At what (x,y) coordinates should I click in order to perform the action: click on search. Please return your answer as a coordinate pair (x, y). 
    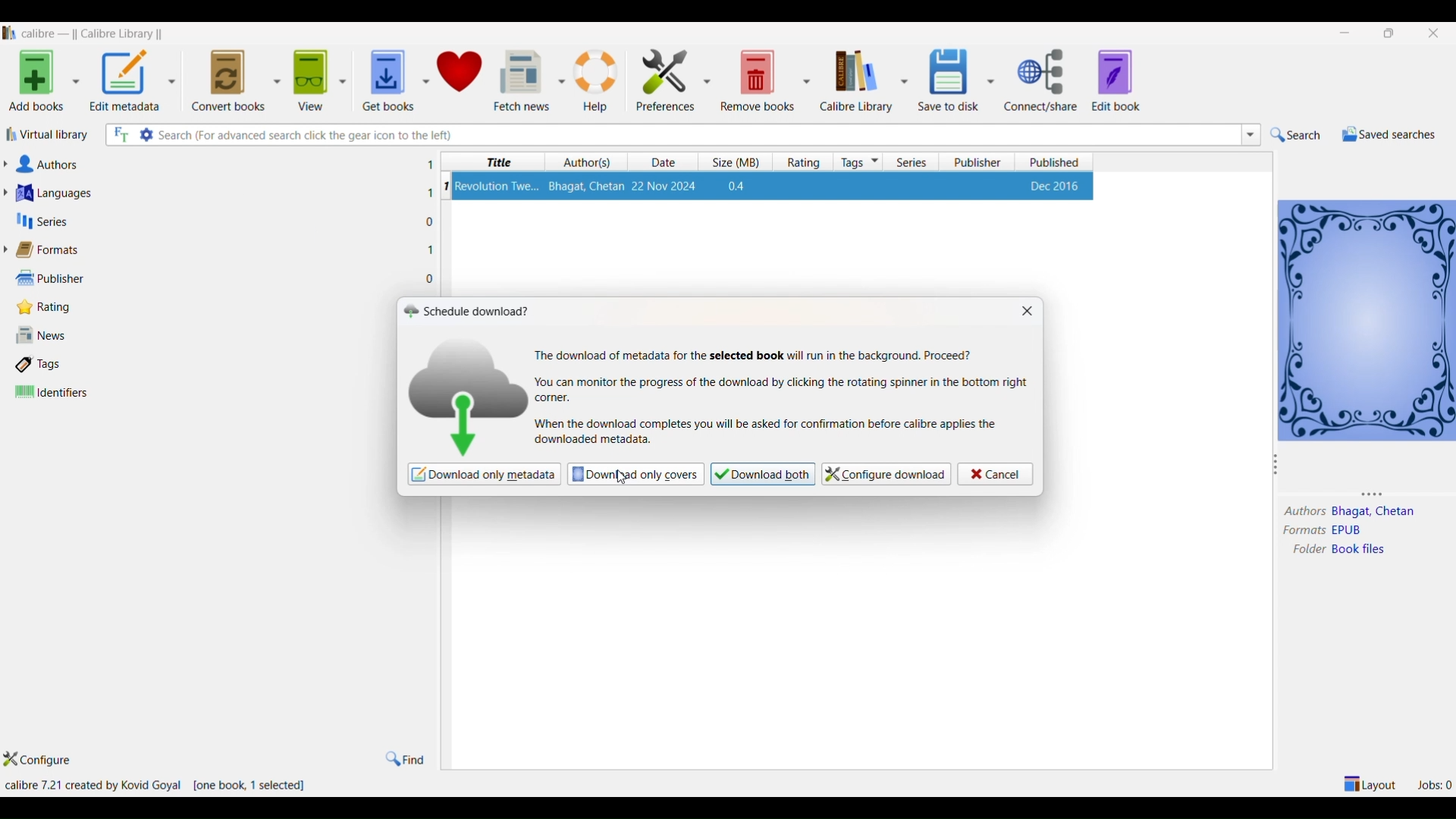
    Looking at the image, I should click on (1296, 135).